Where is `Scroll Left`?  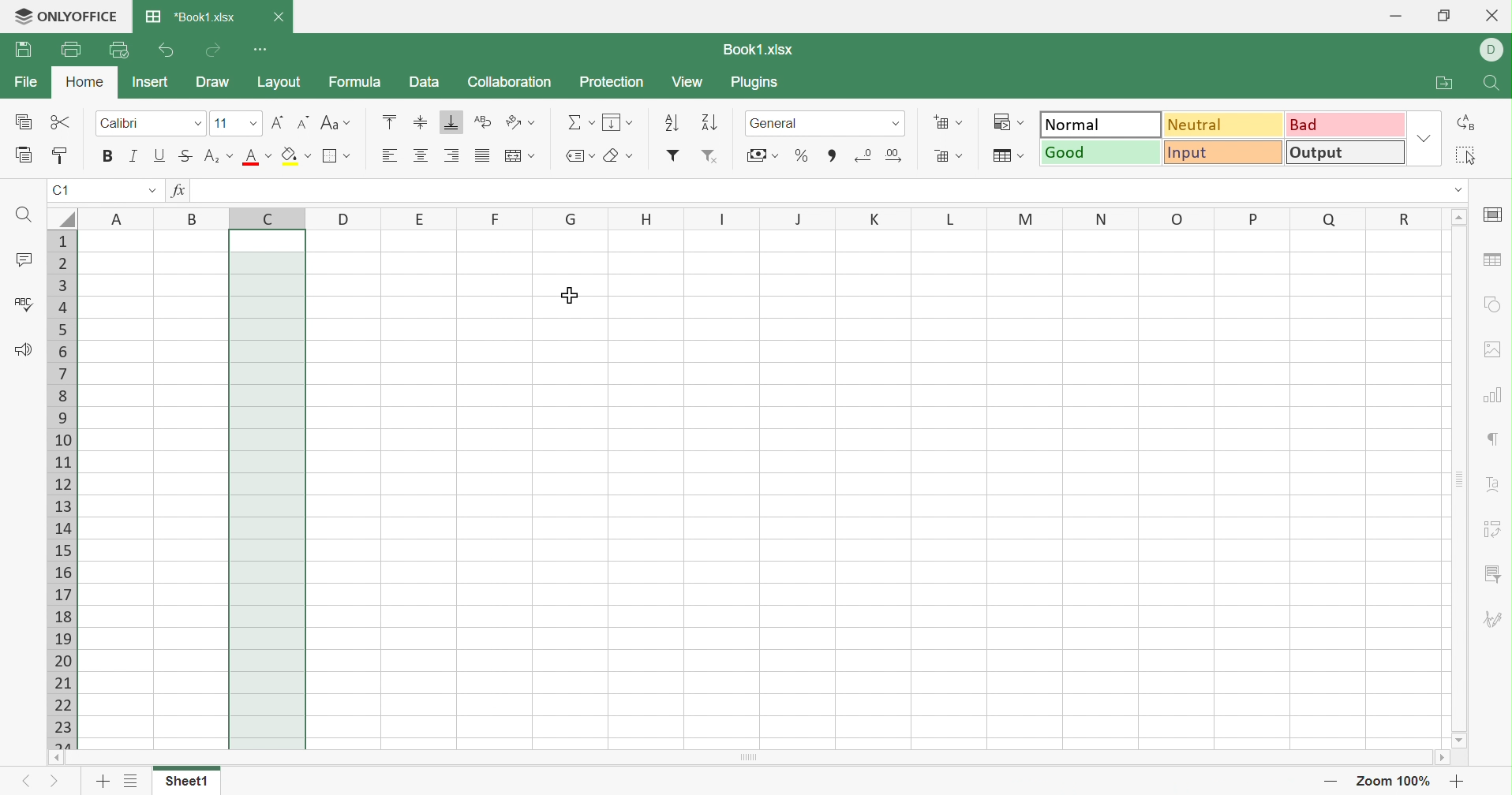
Scroll Left is located at coordinates (56, 757).